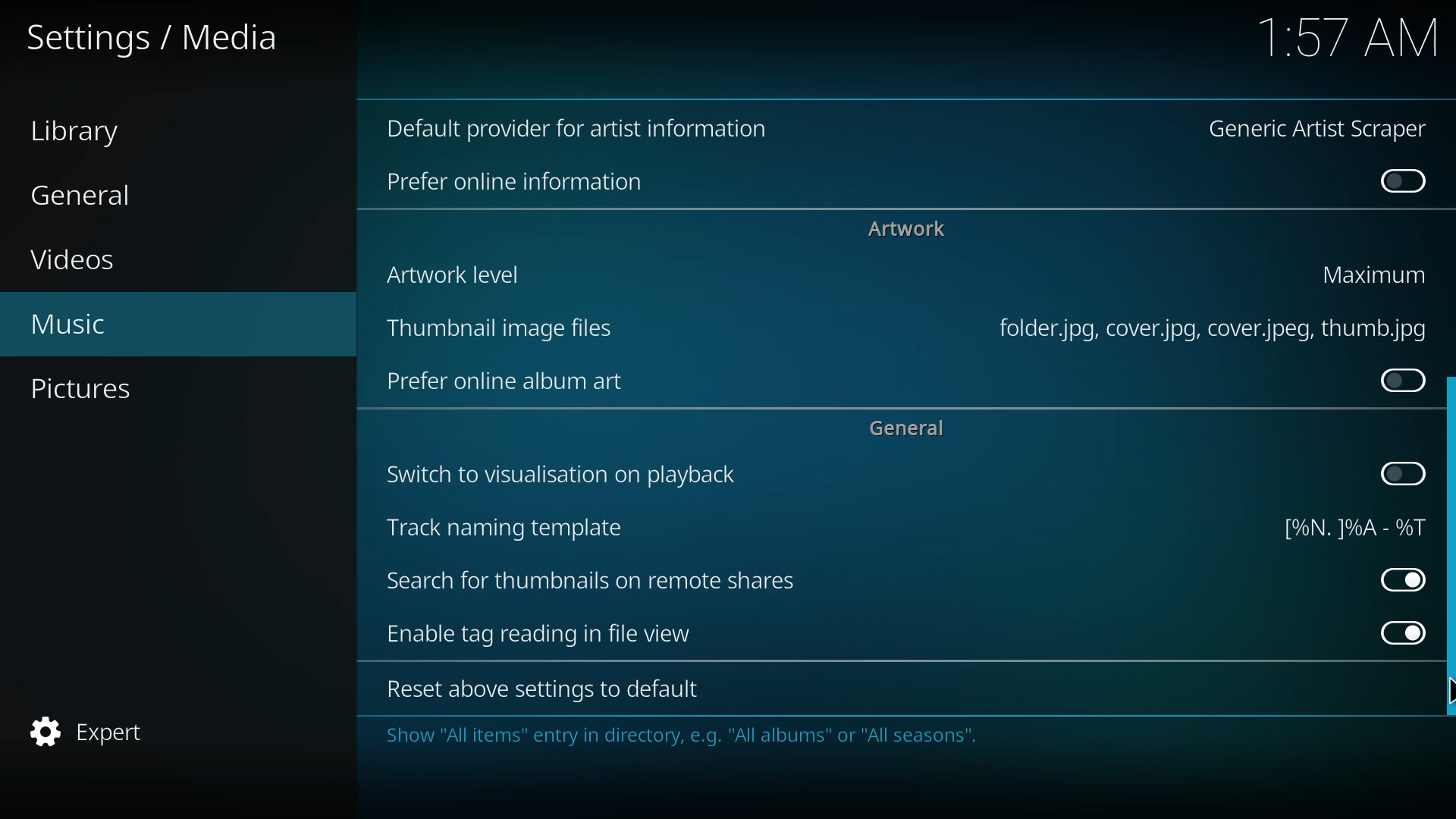 This screenshot has width=1456, height=819. I want to click on default, so click(587, 129).